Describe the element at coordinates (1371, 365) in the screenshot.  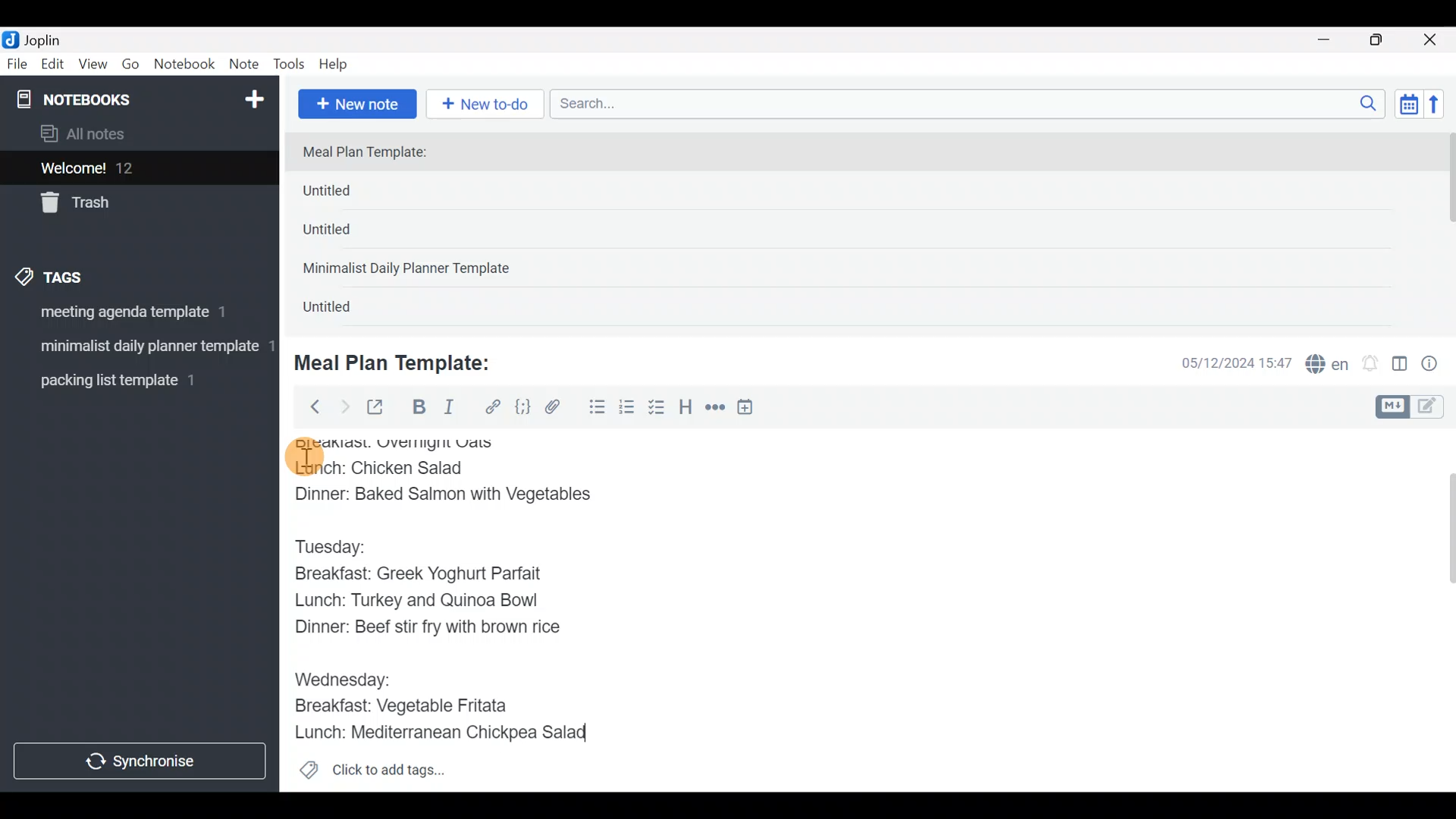
I see `Set alarm` at that location.